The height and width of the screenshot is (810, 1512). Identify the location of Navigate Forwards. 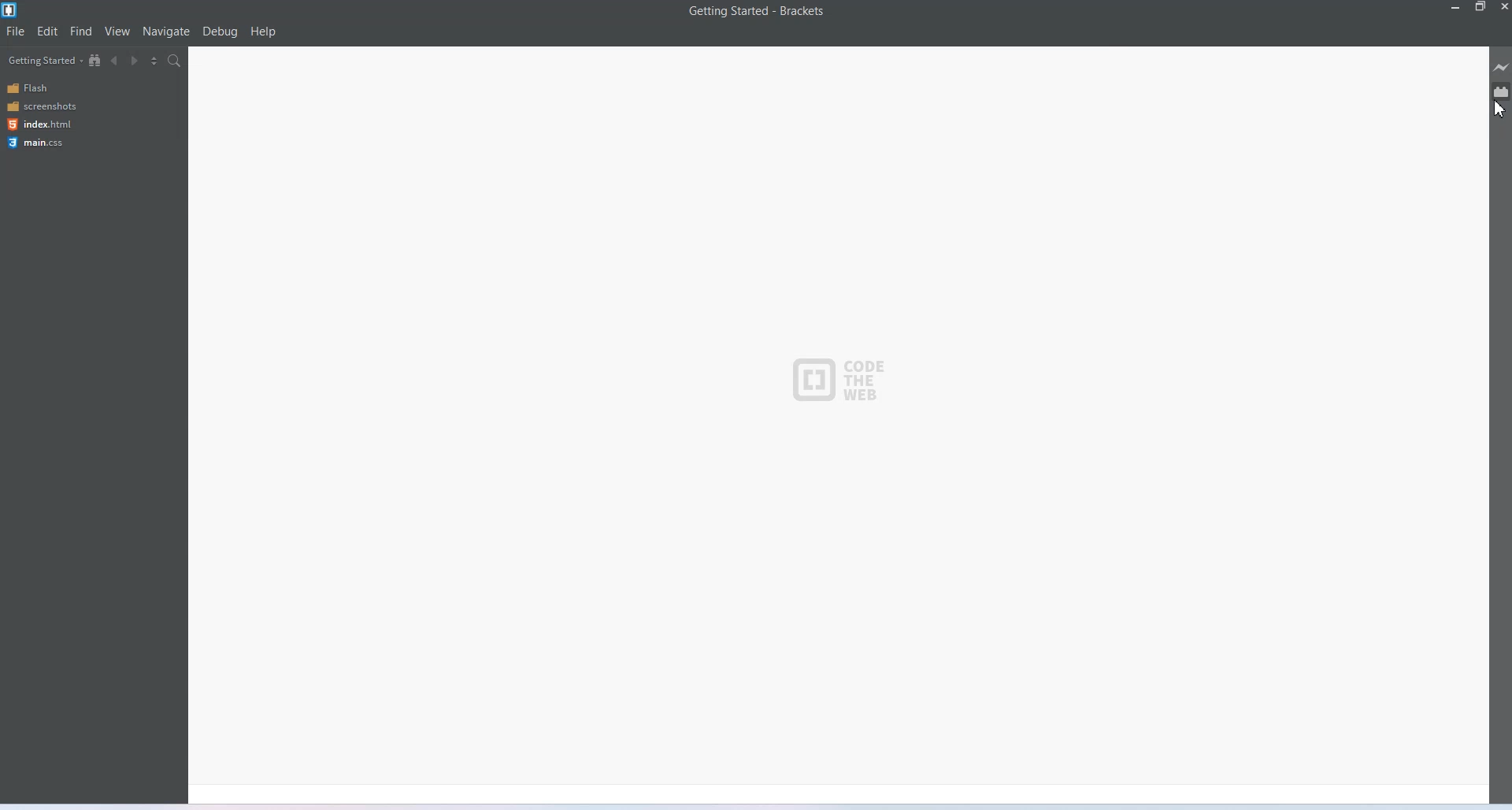
(136, 61).